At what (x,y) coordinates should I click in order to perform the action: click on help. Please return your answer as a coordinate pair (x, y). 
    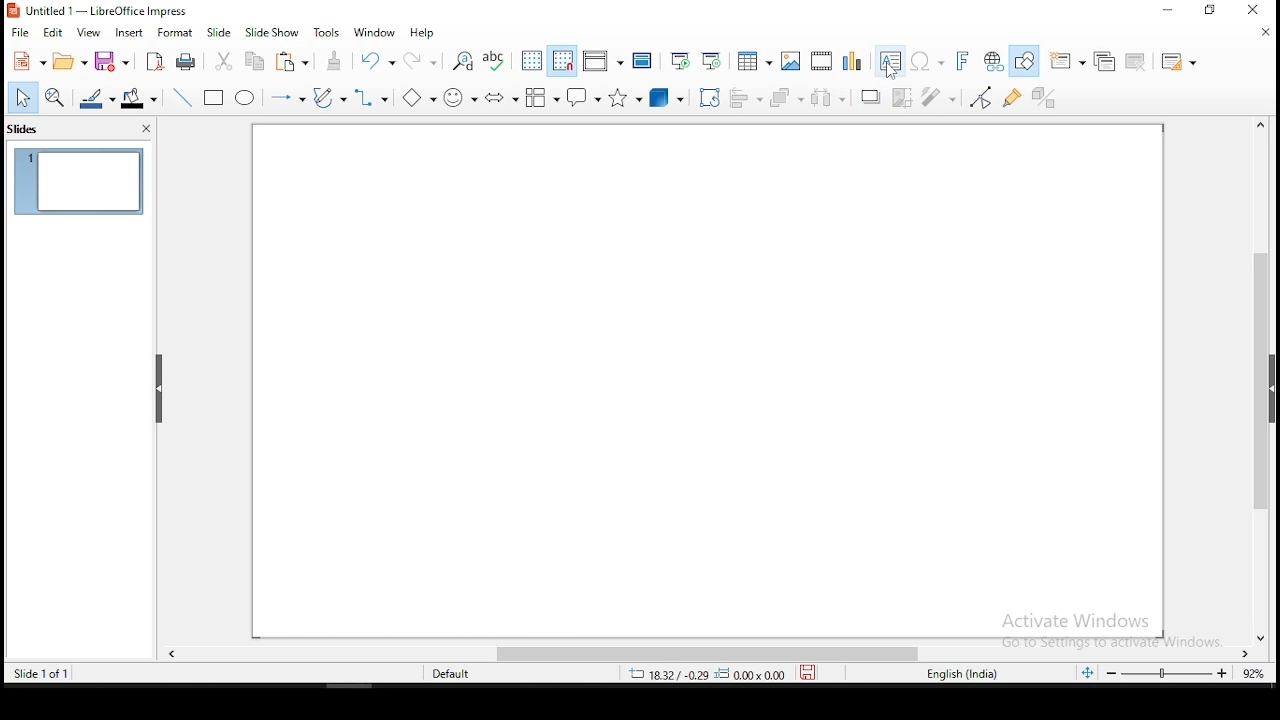
    Looking at the image, I should click on (423, 33).